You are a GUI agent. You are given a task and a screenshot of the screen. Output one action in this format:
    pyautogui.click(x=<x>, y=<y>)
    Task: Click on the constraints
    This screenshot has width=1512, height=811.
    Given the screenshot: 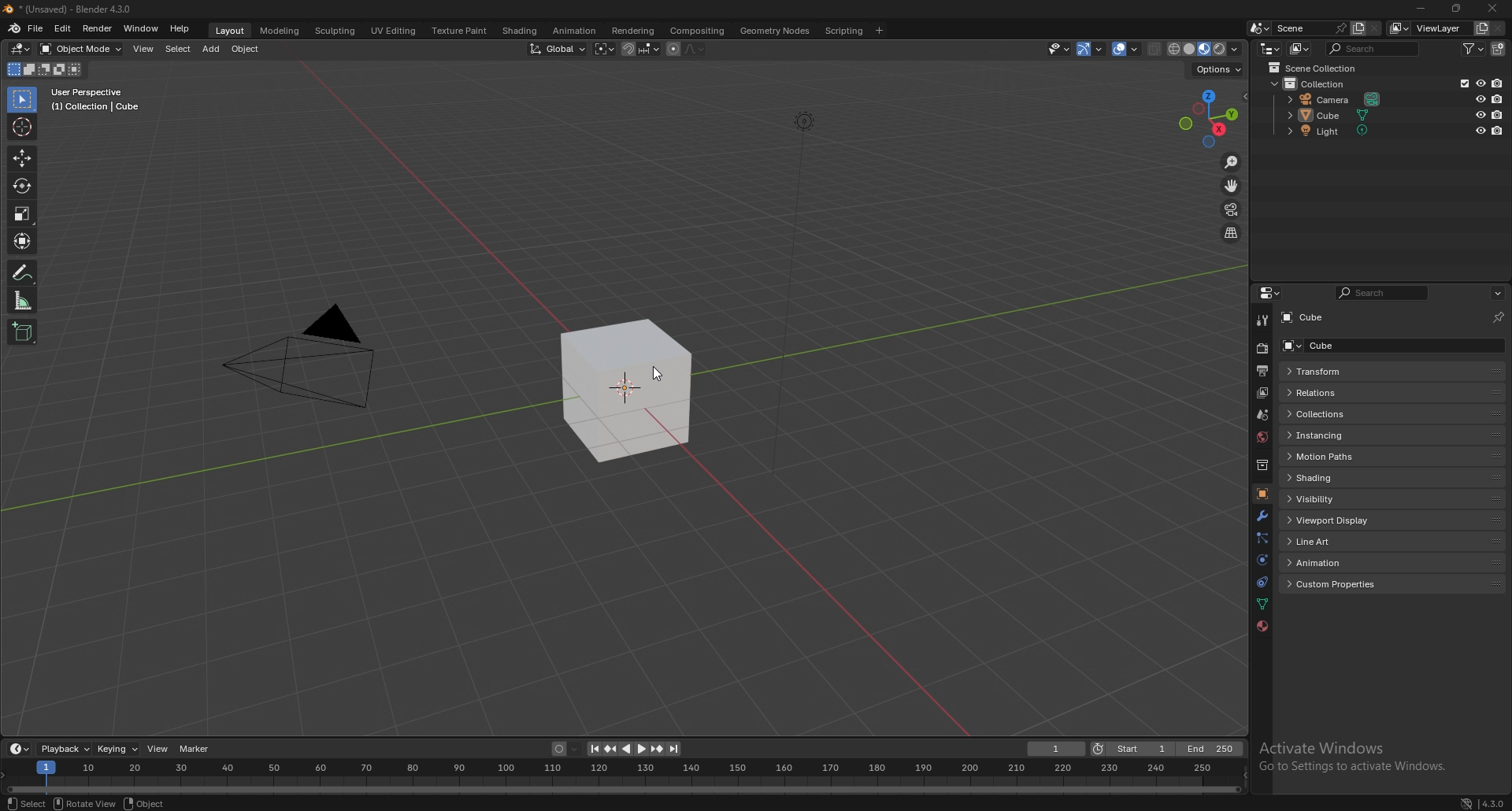 What is the action you would take?
    pyautogui.click(x=1261, y=581)
    